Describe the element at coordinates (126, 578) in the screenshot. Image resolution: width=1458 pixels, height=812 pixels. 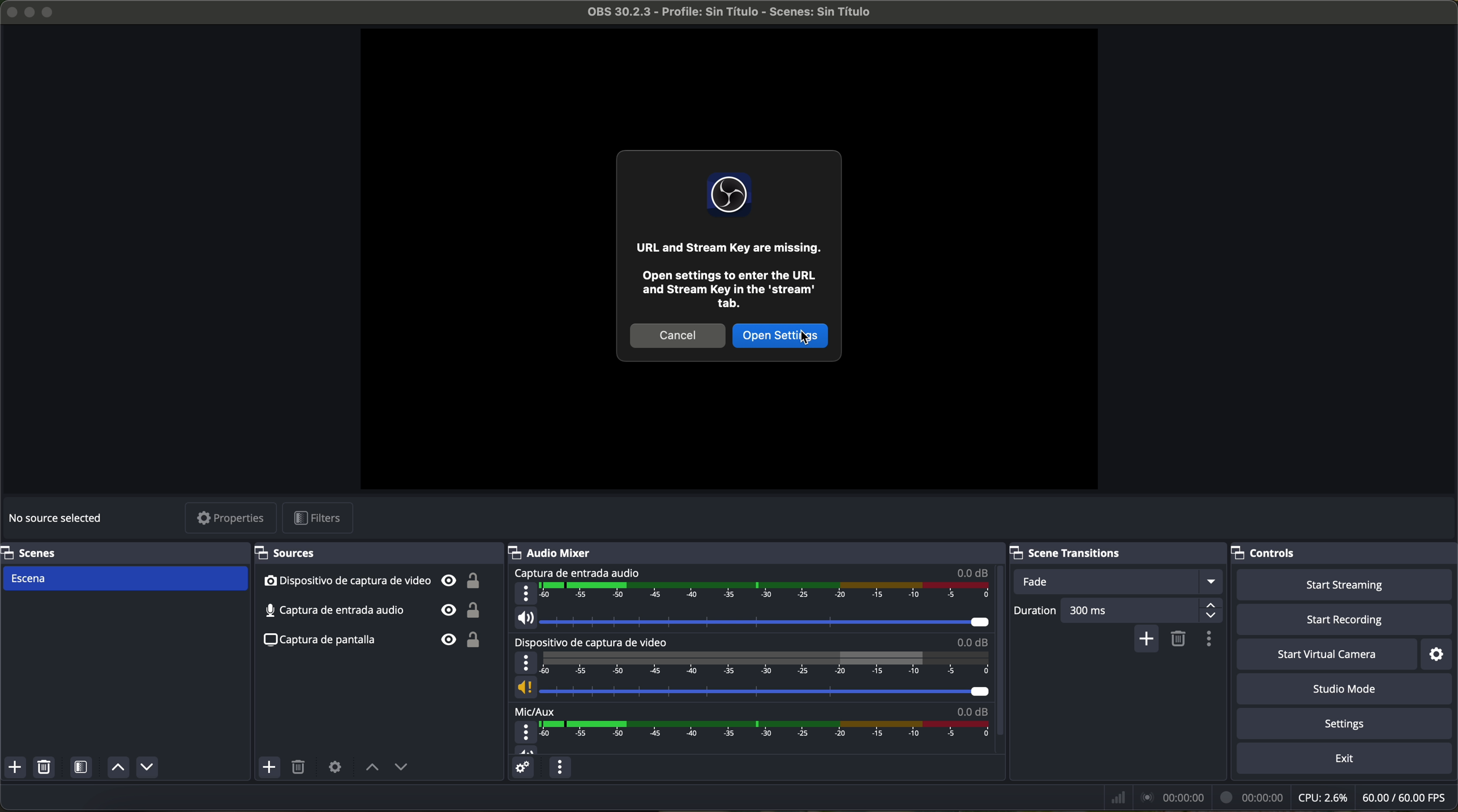
I see `scene` at that location.